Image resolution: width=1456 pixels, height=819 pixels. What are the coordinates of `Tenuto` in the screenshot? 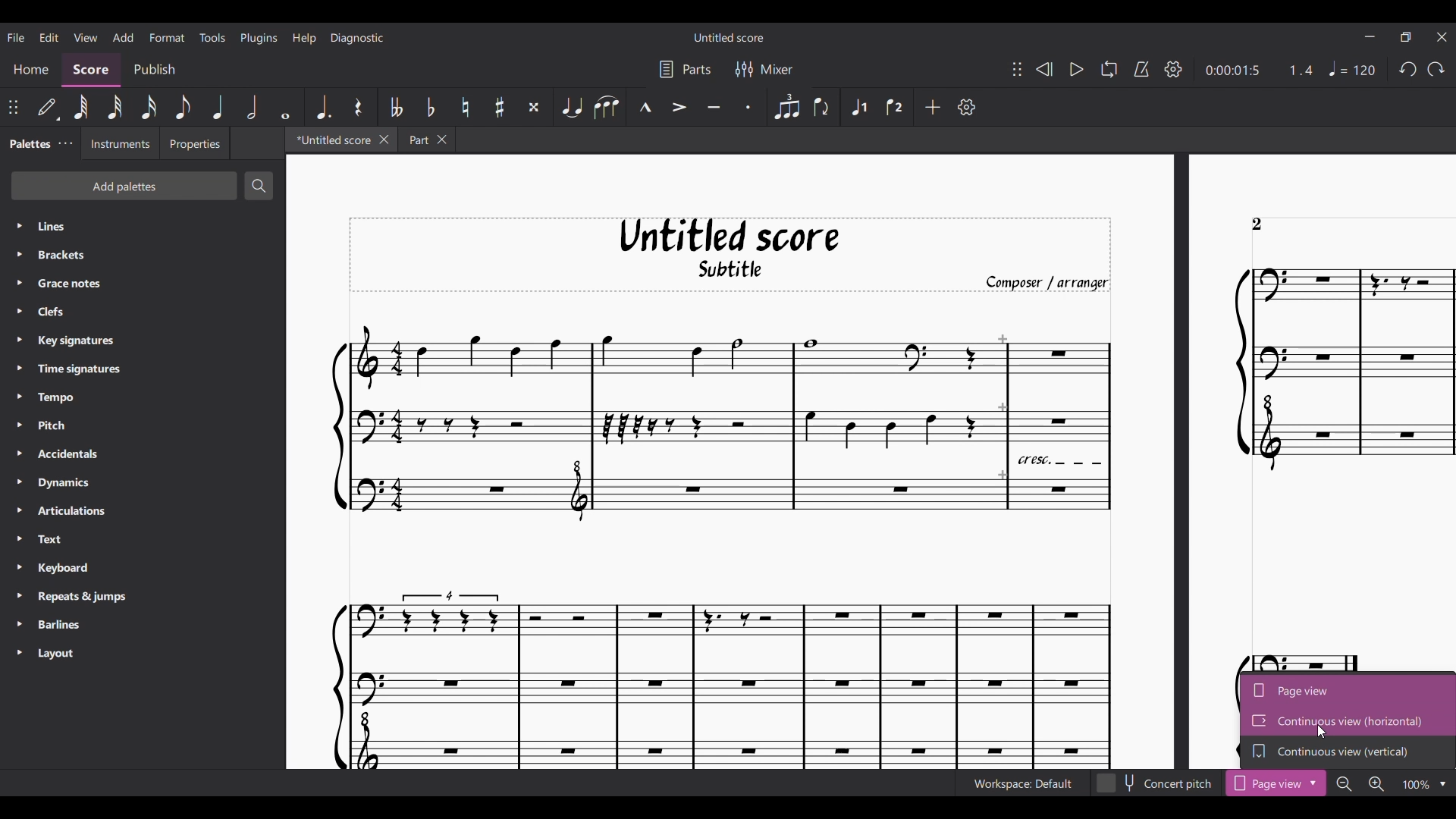 It's located at (714, 107).